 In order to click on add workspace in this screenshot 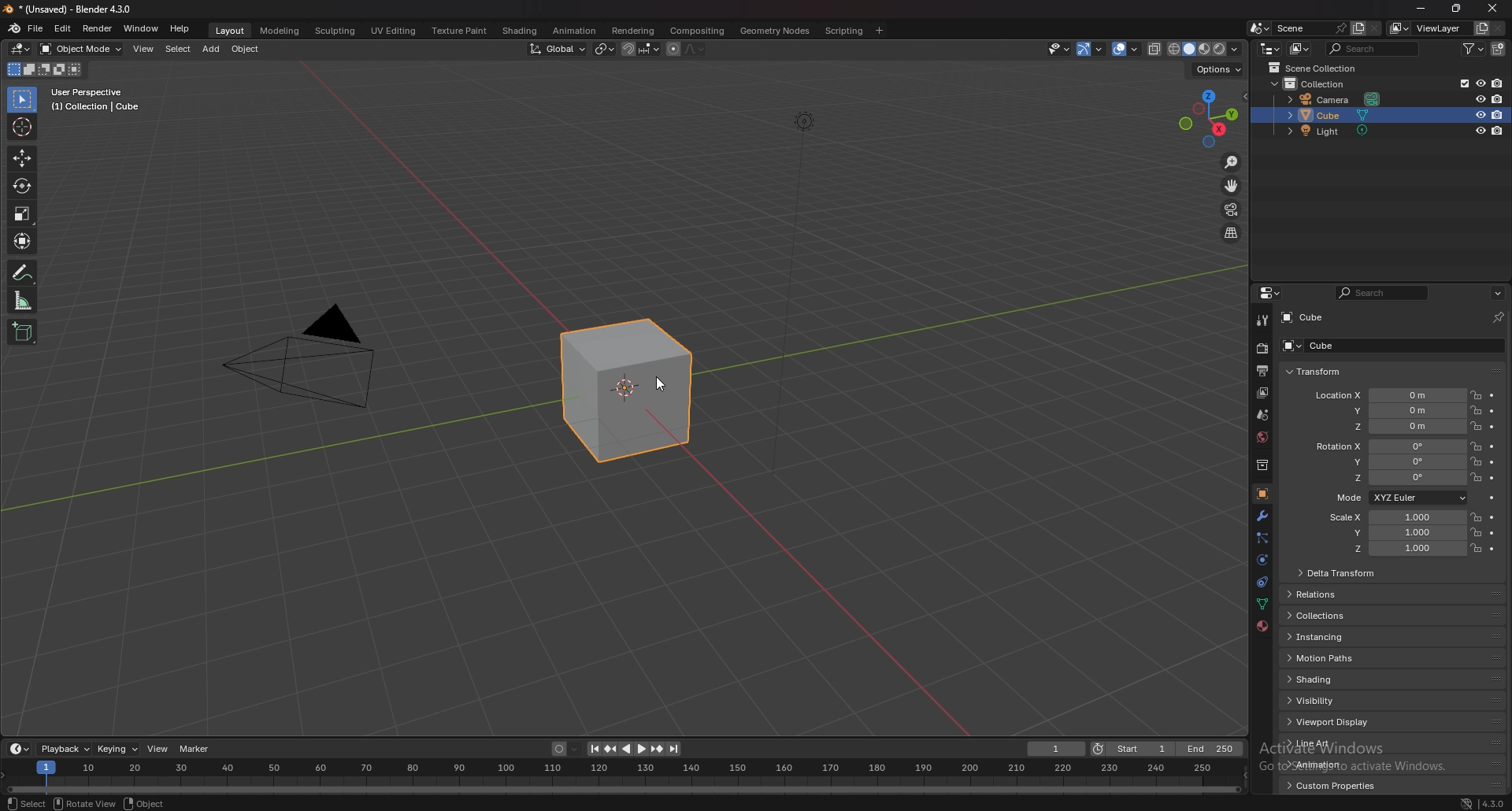, I will do `click(878, 31)`.